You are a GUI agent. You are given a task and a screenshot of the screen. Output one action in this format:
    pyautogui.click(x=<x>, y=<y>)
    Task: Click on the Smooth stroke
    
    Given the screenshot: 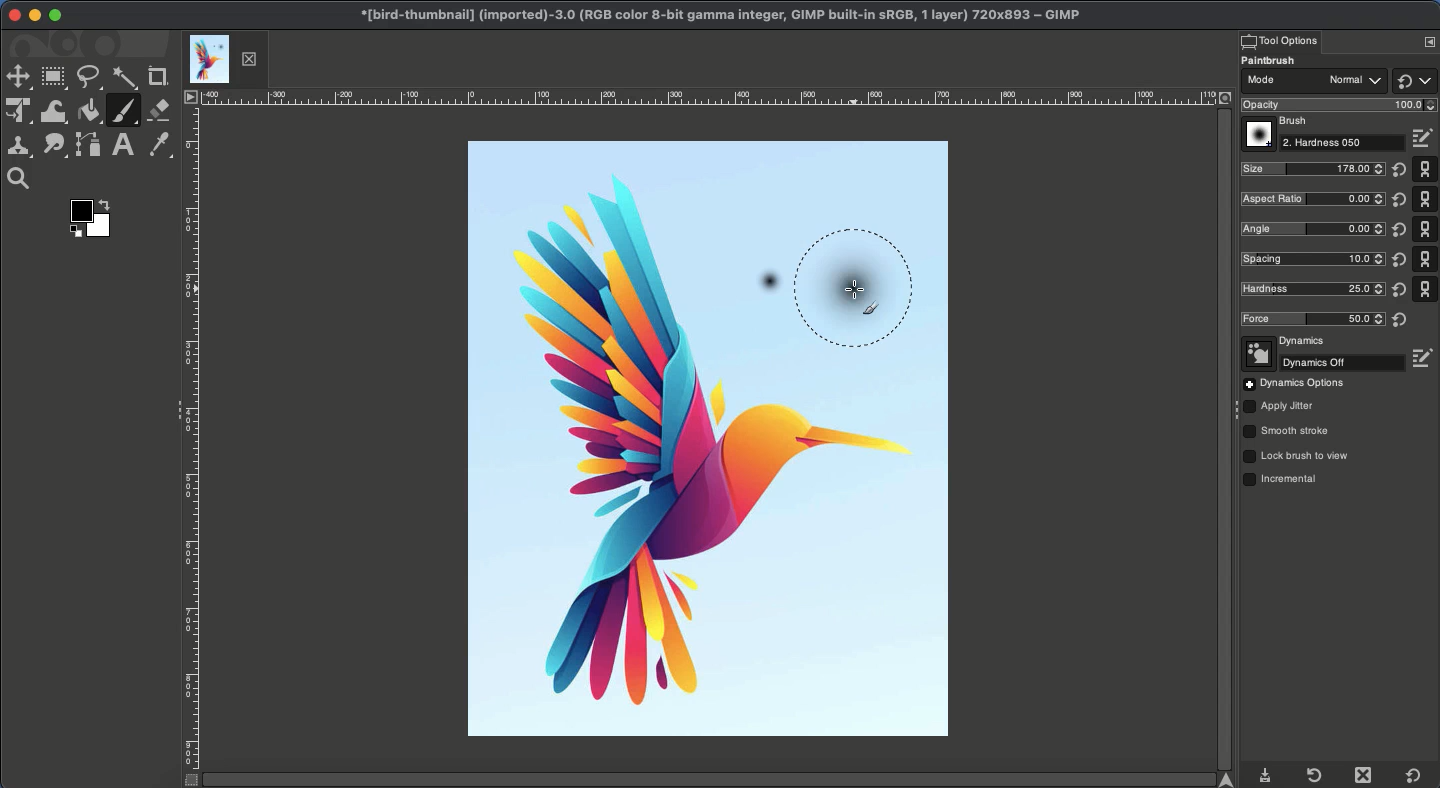 What is the action you would take?
    pyautogui.click(x=1287, y=432)
    